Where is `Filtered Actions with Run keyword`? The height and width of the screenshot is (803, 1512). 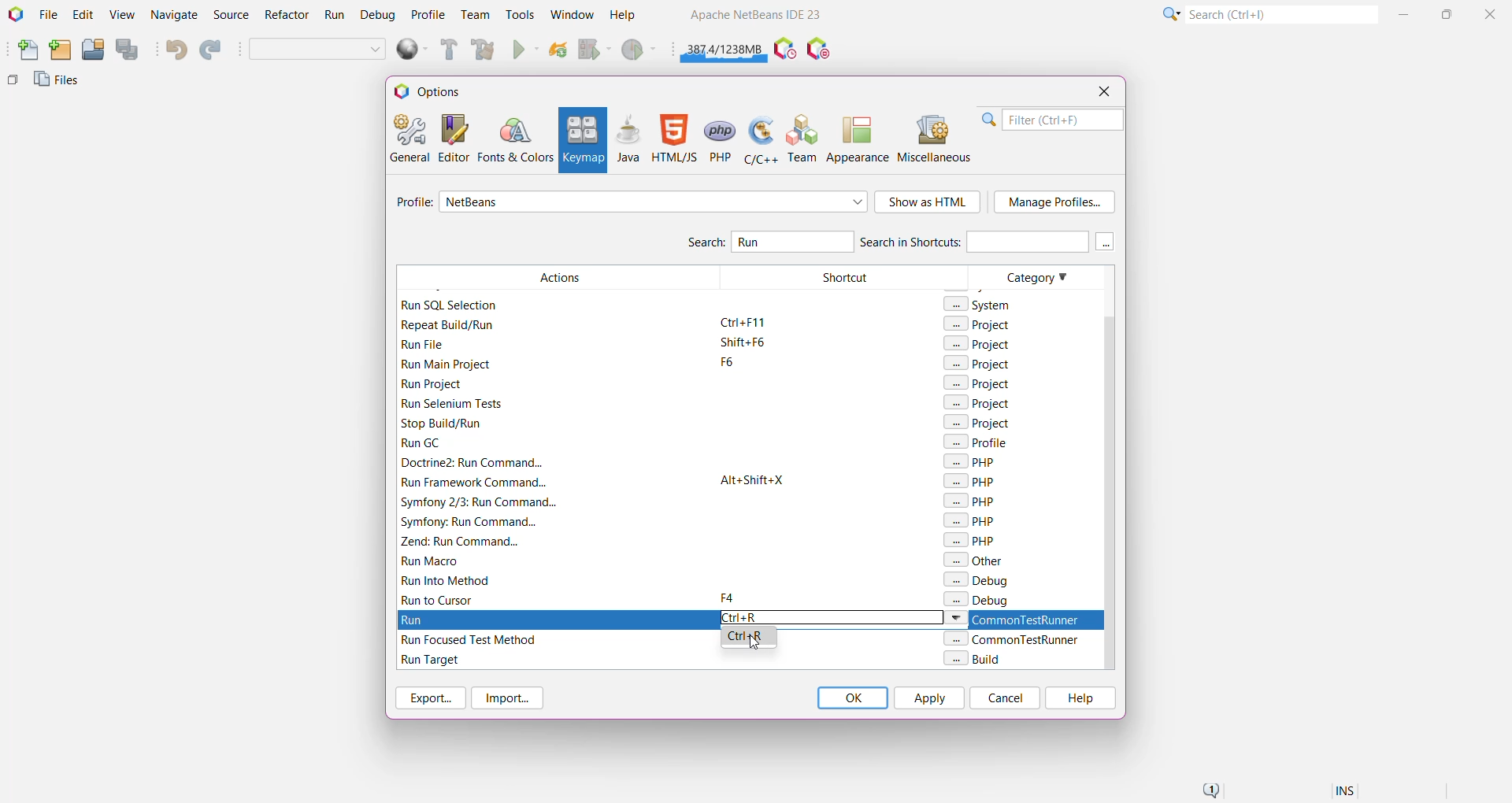
Filtered Actions with Run keyword is located at coordinates (557, 435).